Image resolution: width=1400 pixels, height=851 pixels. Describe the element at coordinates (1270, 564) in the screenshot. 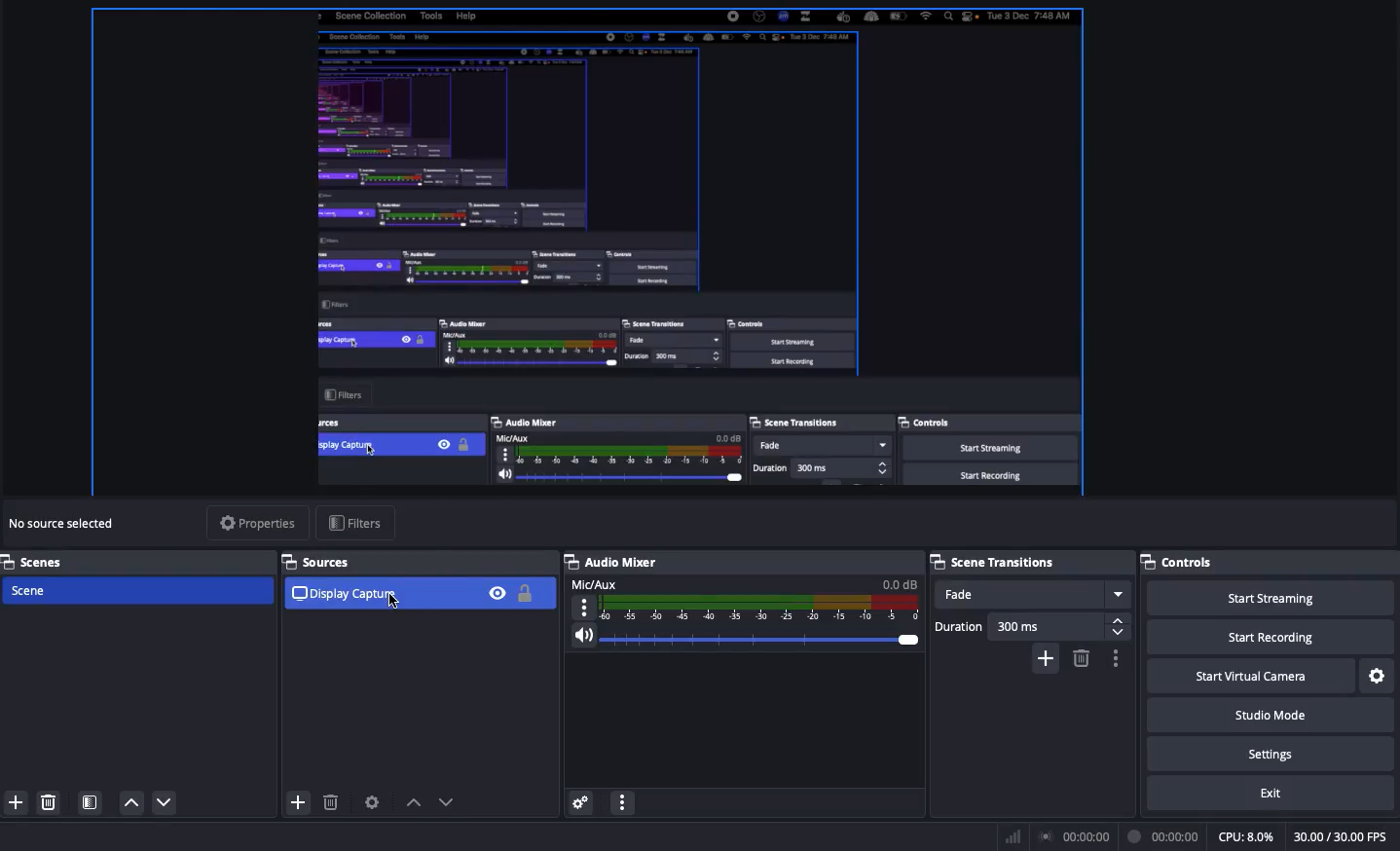

I see `Controls` at that location.